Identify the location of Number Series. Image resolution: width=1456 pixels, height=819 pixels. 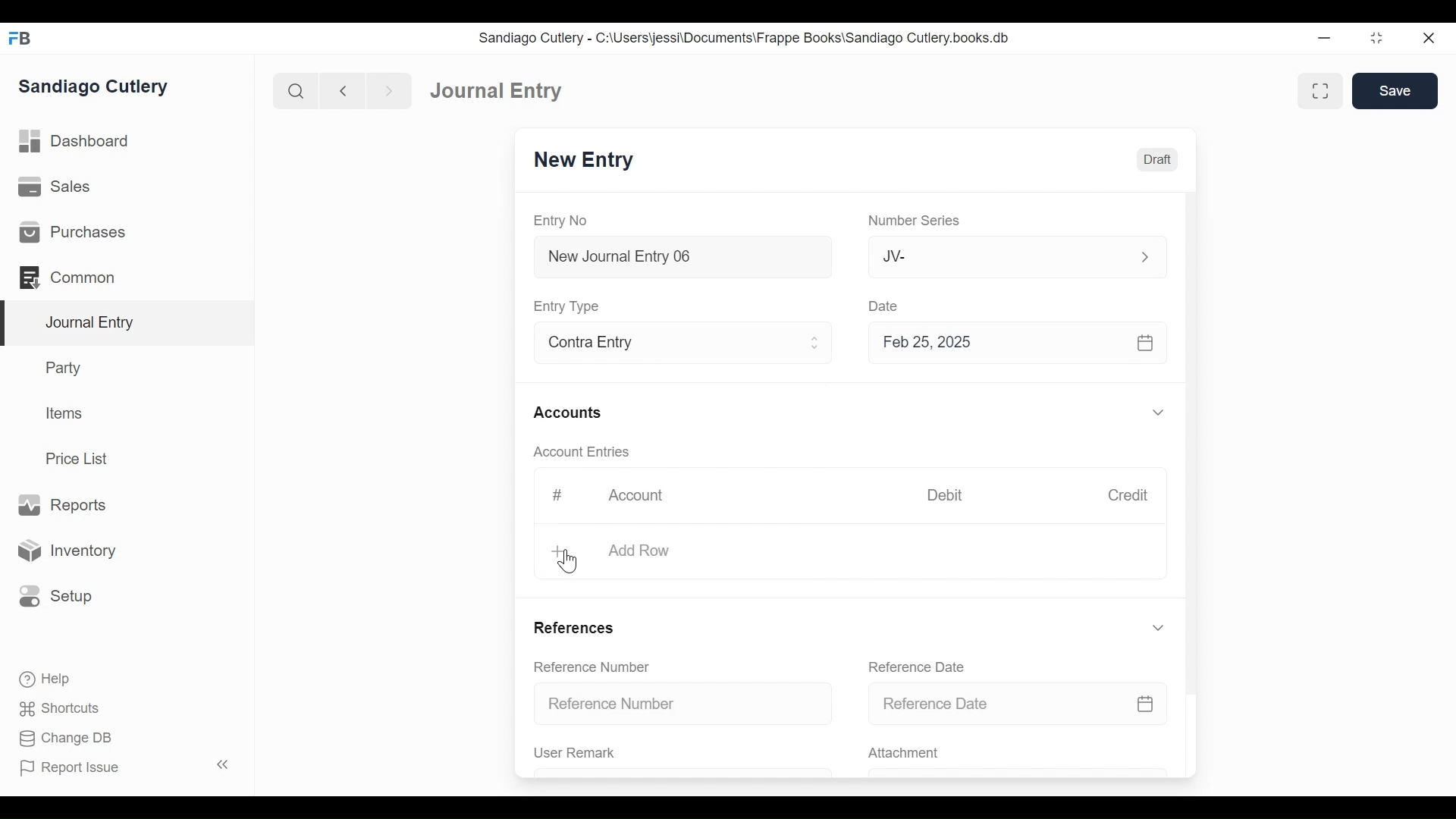
(917, 221).